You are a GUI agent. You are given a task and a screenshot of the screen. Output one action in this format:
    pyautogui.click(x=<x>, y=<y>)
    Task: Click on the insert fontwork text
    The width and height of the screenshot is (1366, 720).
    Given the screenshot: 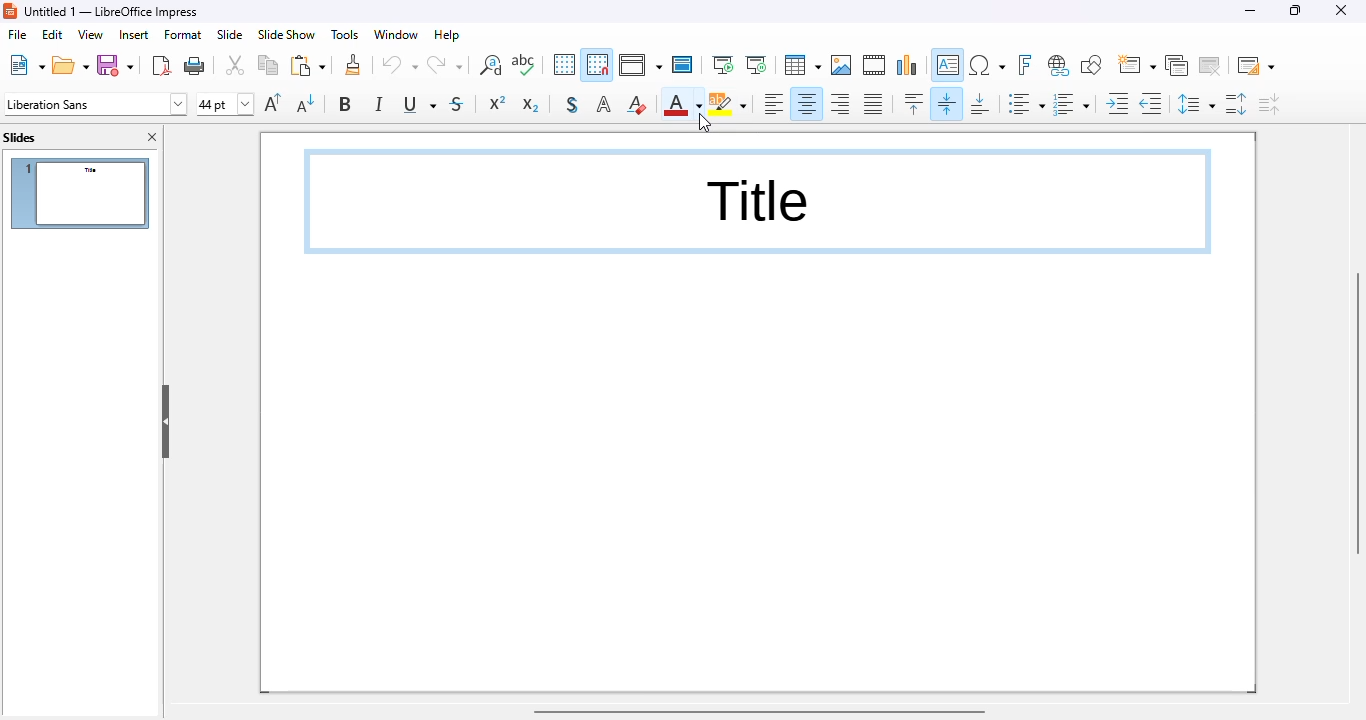 What is the action you would take?
    pyautogui.click(x=1025, y=65)
    